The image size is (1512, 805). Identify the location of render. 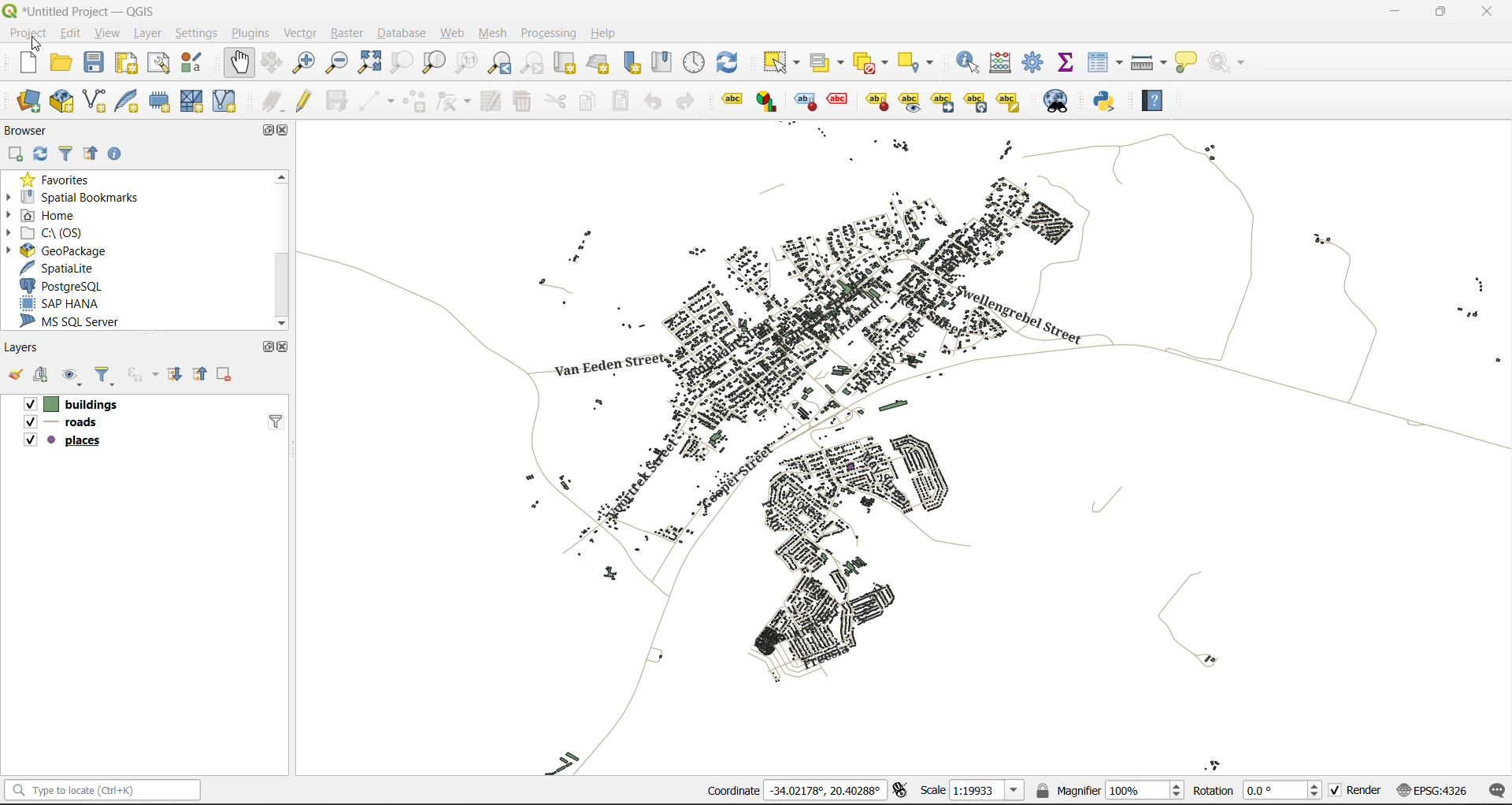
(1352, 793).